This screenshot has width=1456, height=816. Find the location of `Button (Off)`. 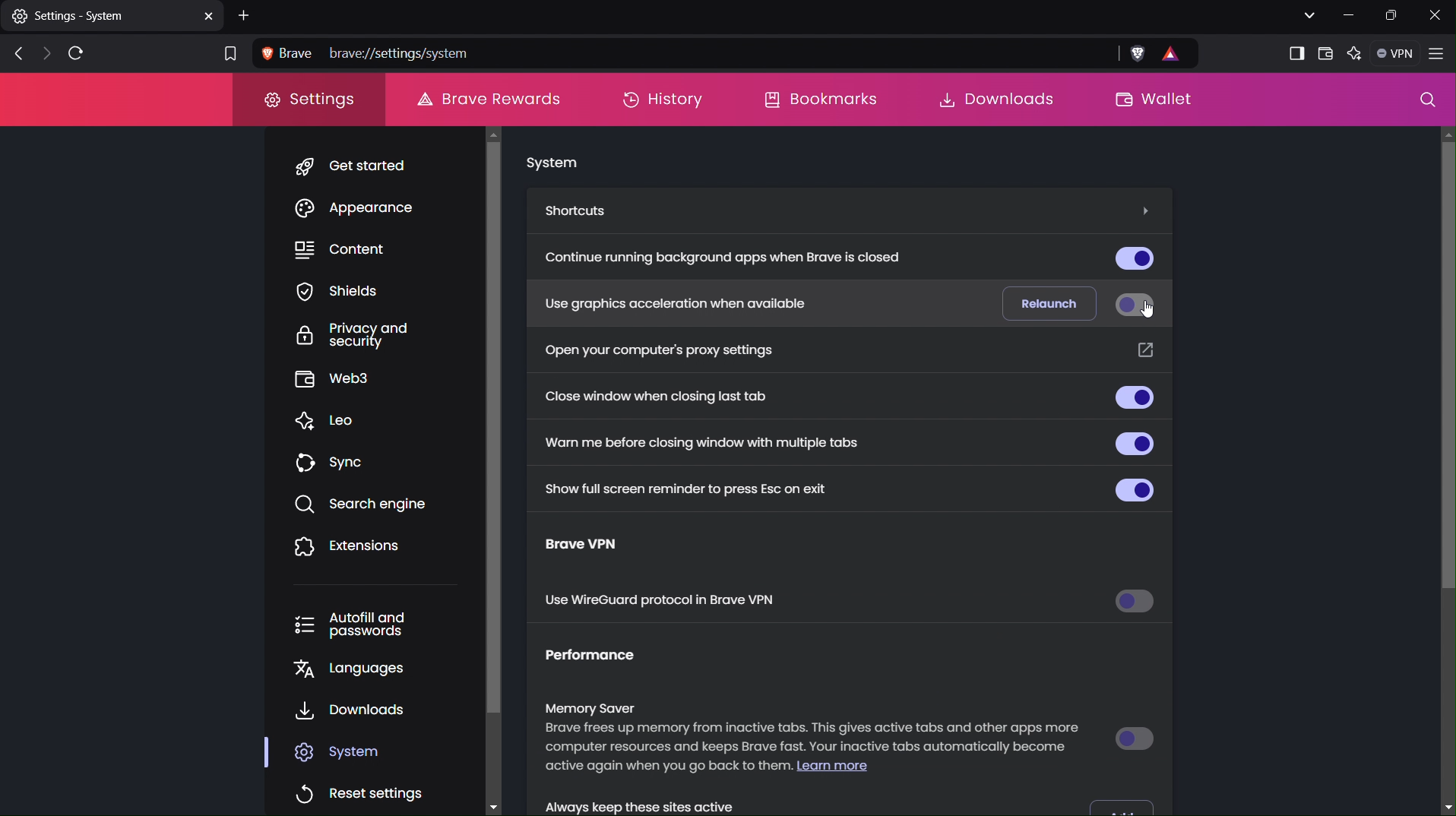

Button (Off) is located at coordinates (1131, 305).